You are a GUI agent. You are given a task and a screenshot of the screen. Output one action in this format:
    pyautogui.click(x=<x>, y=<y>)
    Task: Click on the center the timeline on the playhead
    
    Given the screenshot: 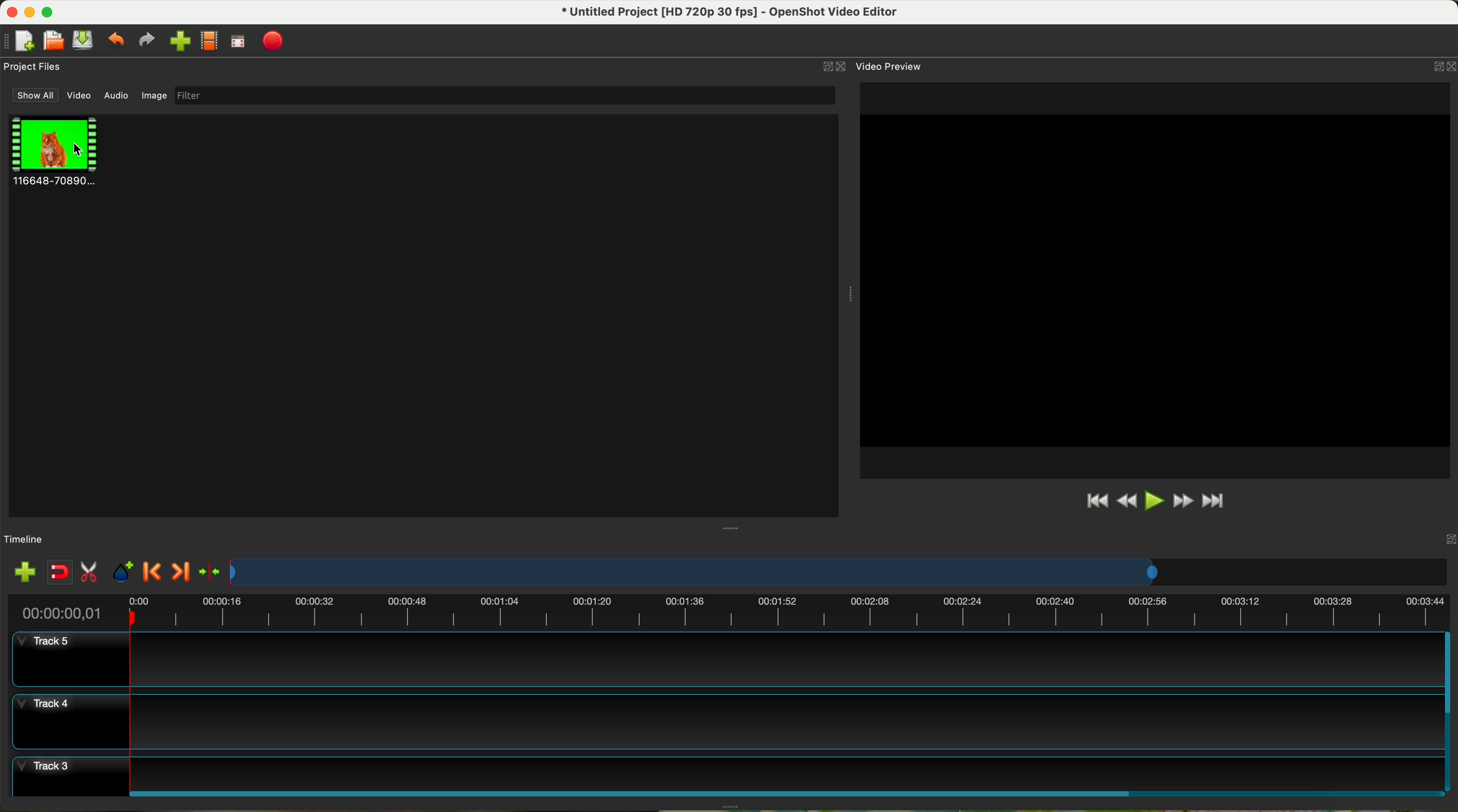 What is the action you would take?
    pyautogui.click(x=211, y=573)
    